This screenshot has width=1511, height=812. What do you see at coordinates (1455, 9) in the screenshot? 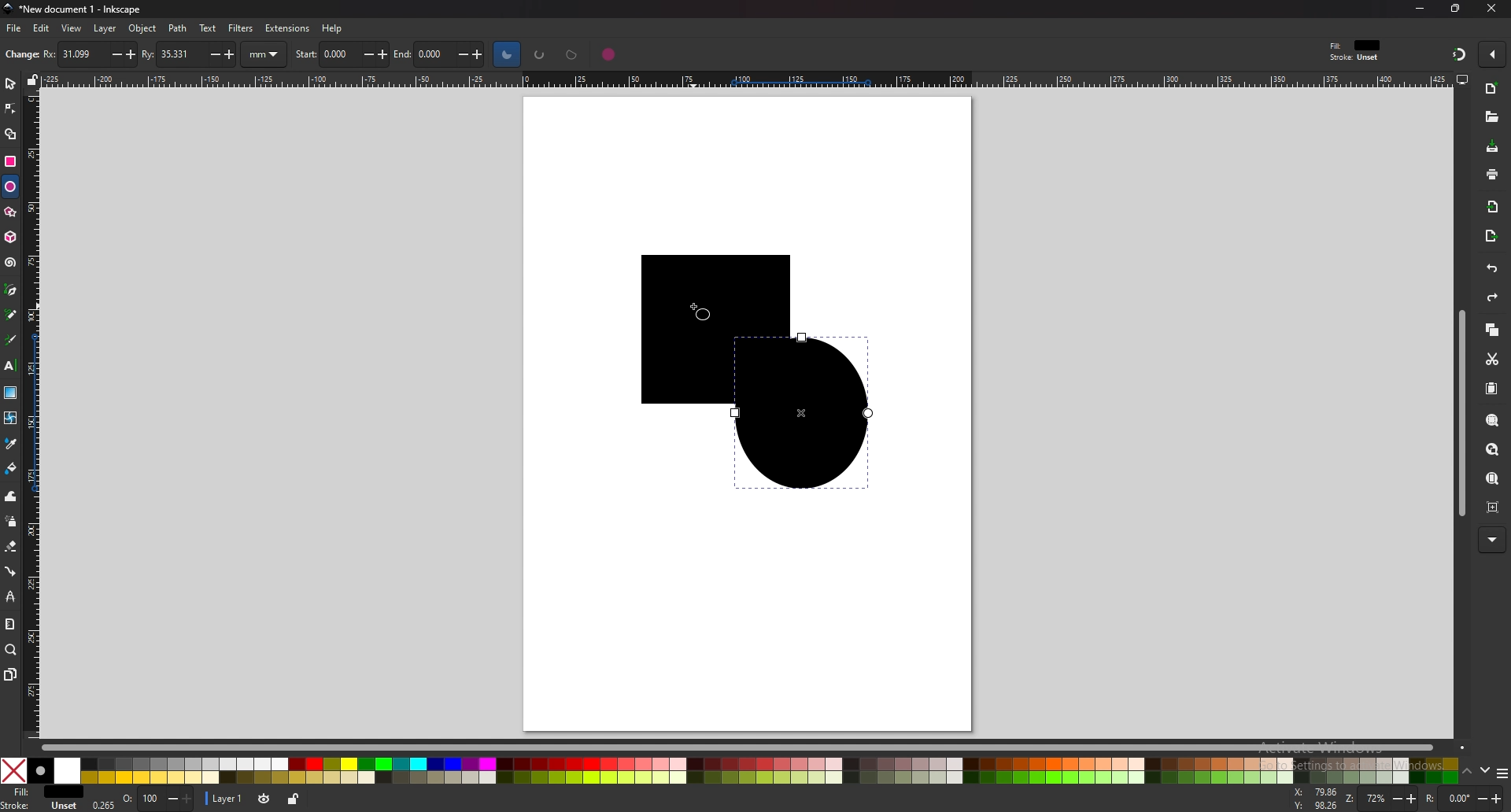
I see `resize` at bounding box center [1455, 9].